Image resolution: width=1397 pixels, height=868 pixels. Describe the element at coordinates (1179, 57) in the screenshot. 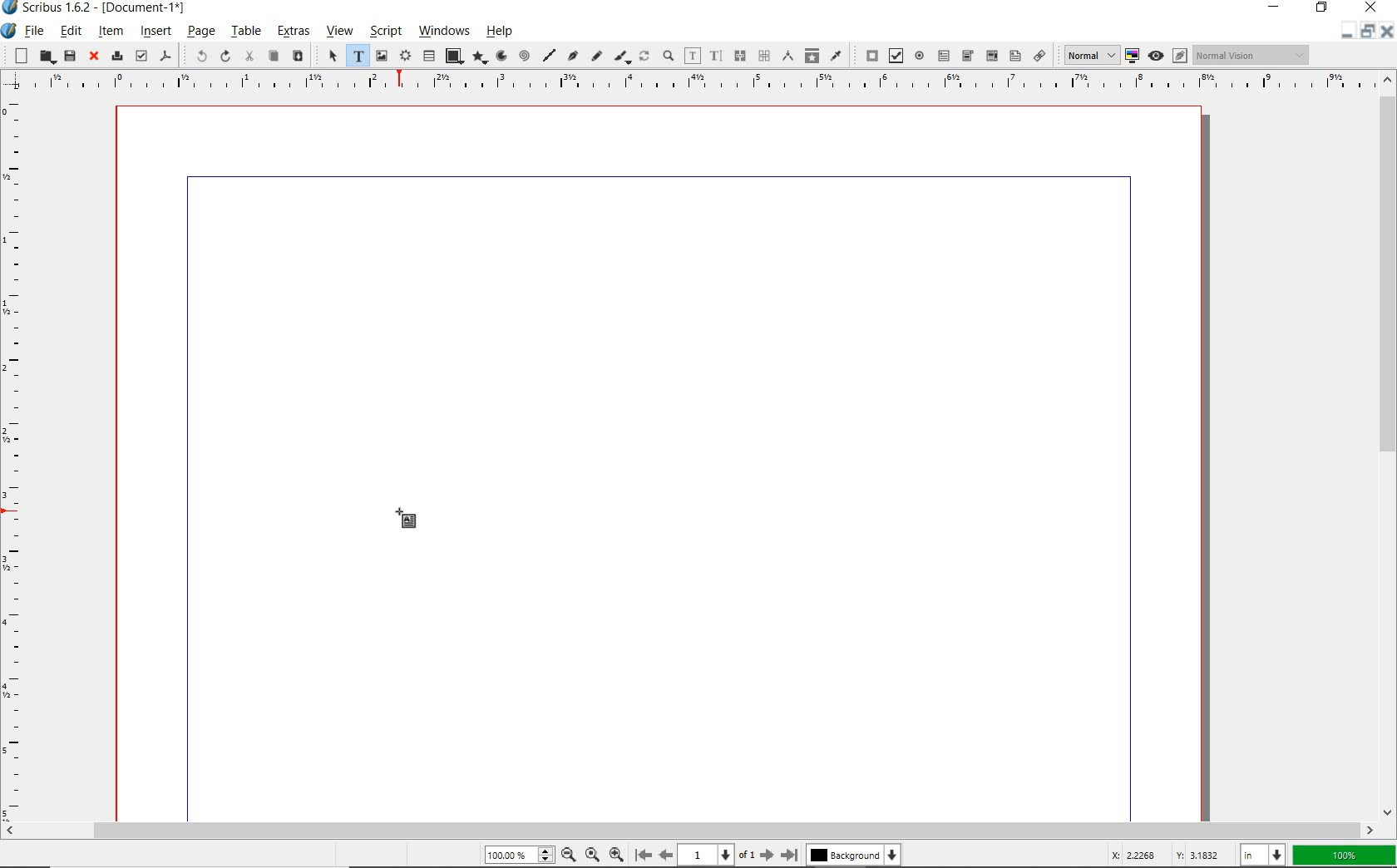

I see `Edit in preview mode` at that location.